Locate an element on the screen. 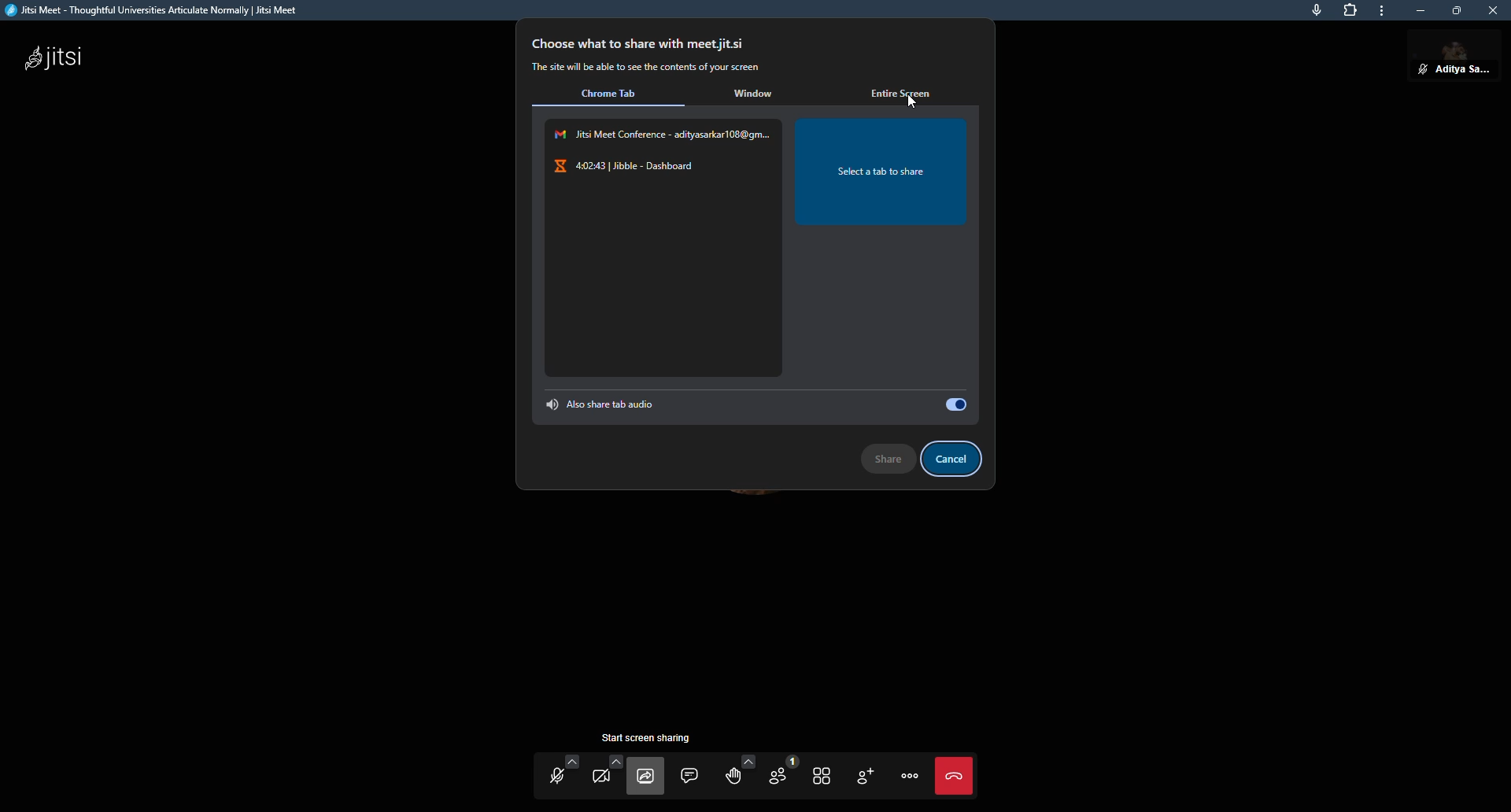 This screenshot has height=812, width=1511. maximize is located at coordinates (1454, 13).